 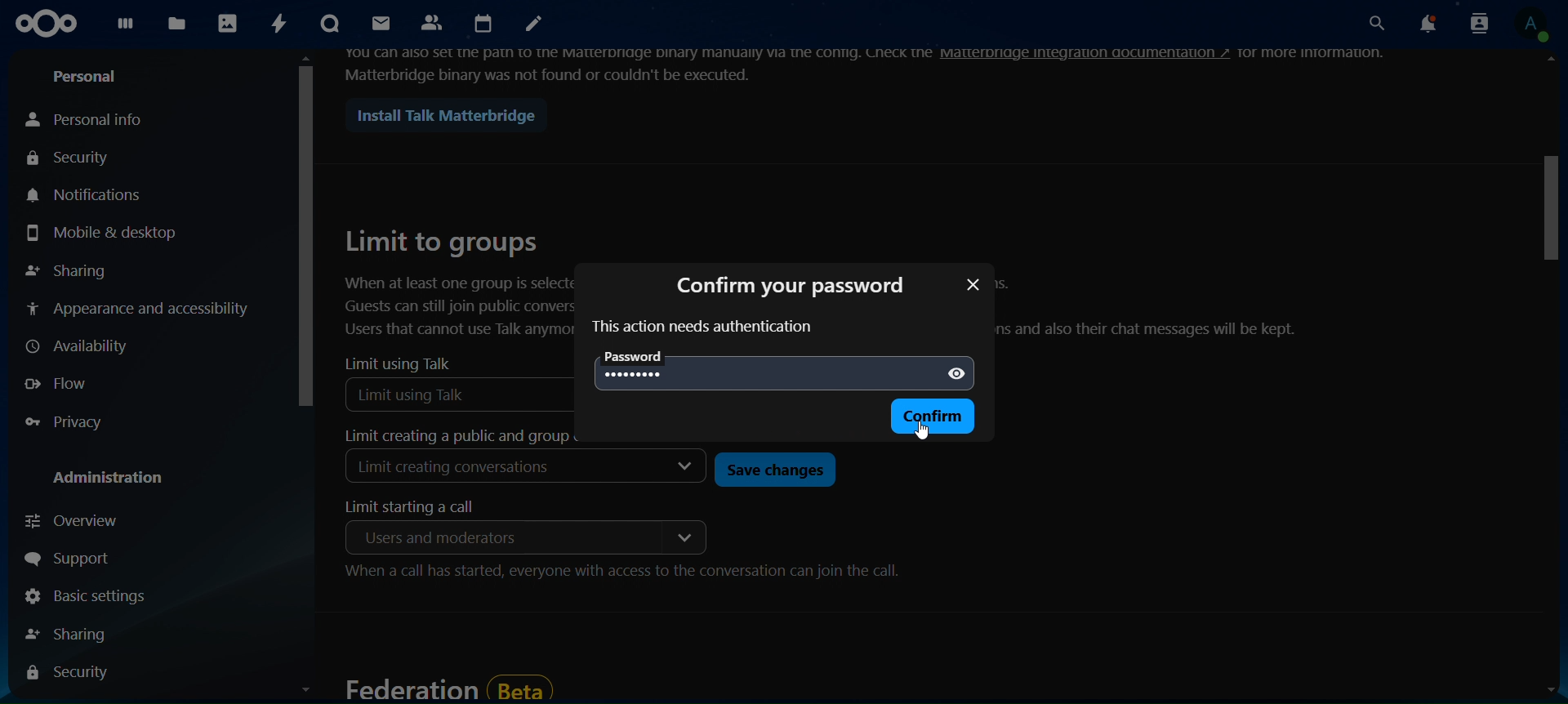 I want to click on personal, so click(x=90, y=78).